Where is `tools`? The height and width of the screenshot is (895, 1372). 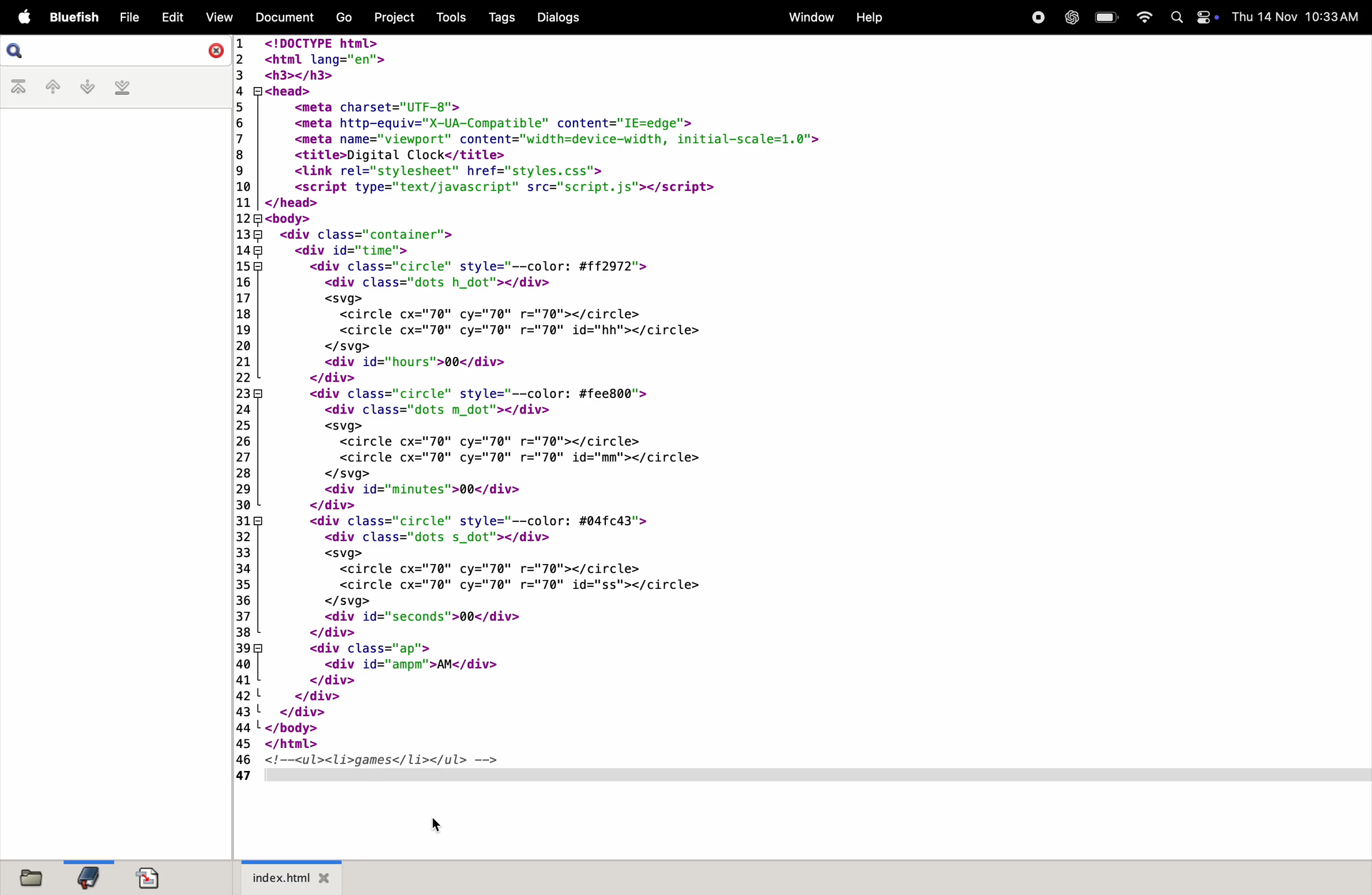
tools is located at coordinates (446, 16).